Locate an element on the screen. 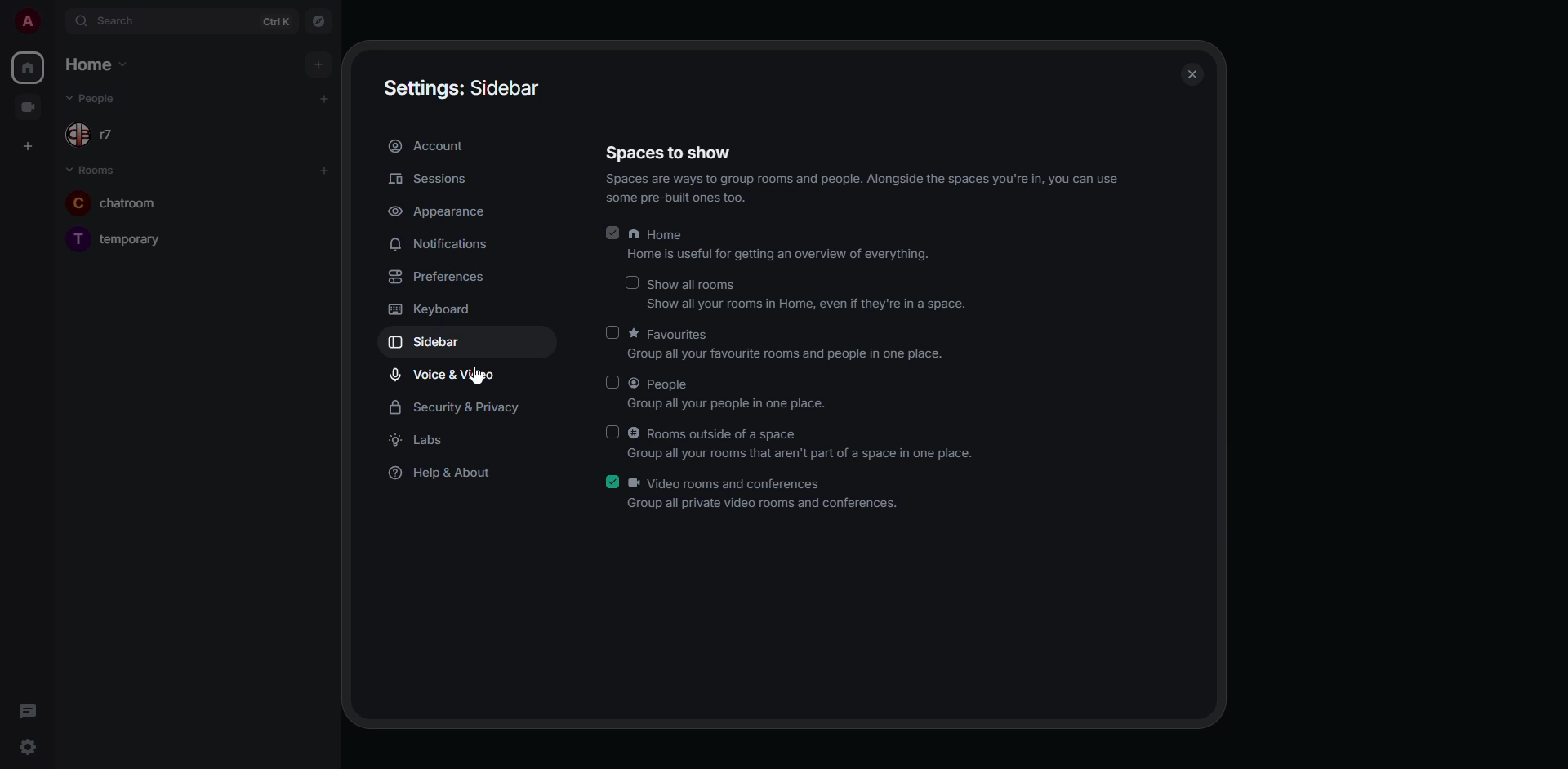  video rooms and conferences is located at coordinates (768, 495).